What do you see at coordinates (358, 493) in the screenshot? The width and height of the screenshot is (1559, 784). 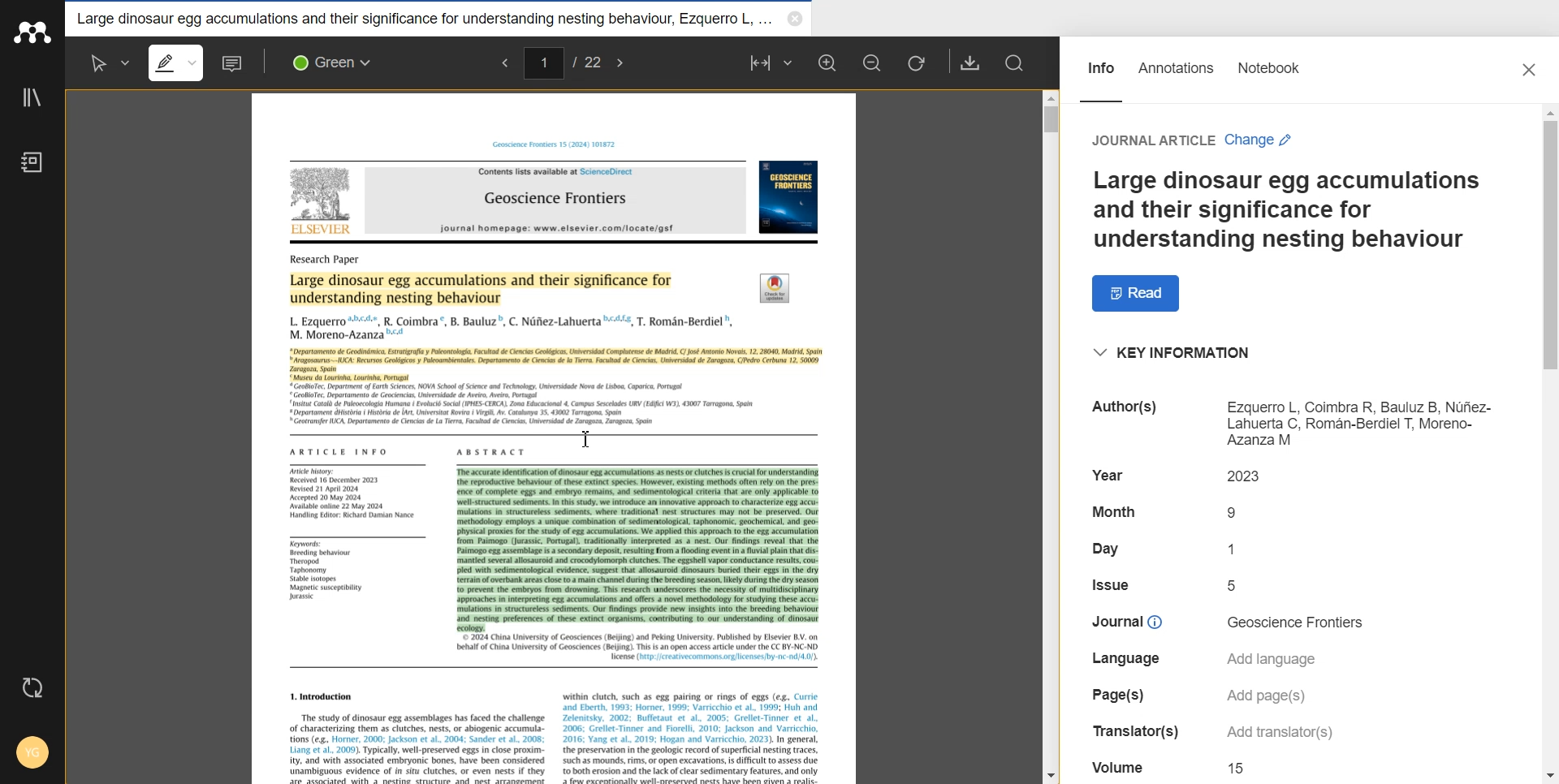 I see `text` at bounding box center [358, 493].